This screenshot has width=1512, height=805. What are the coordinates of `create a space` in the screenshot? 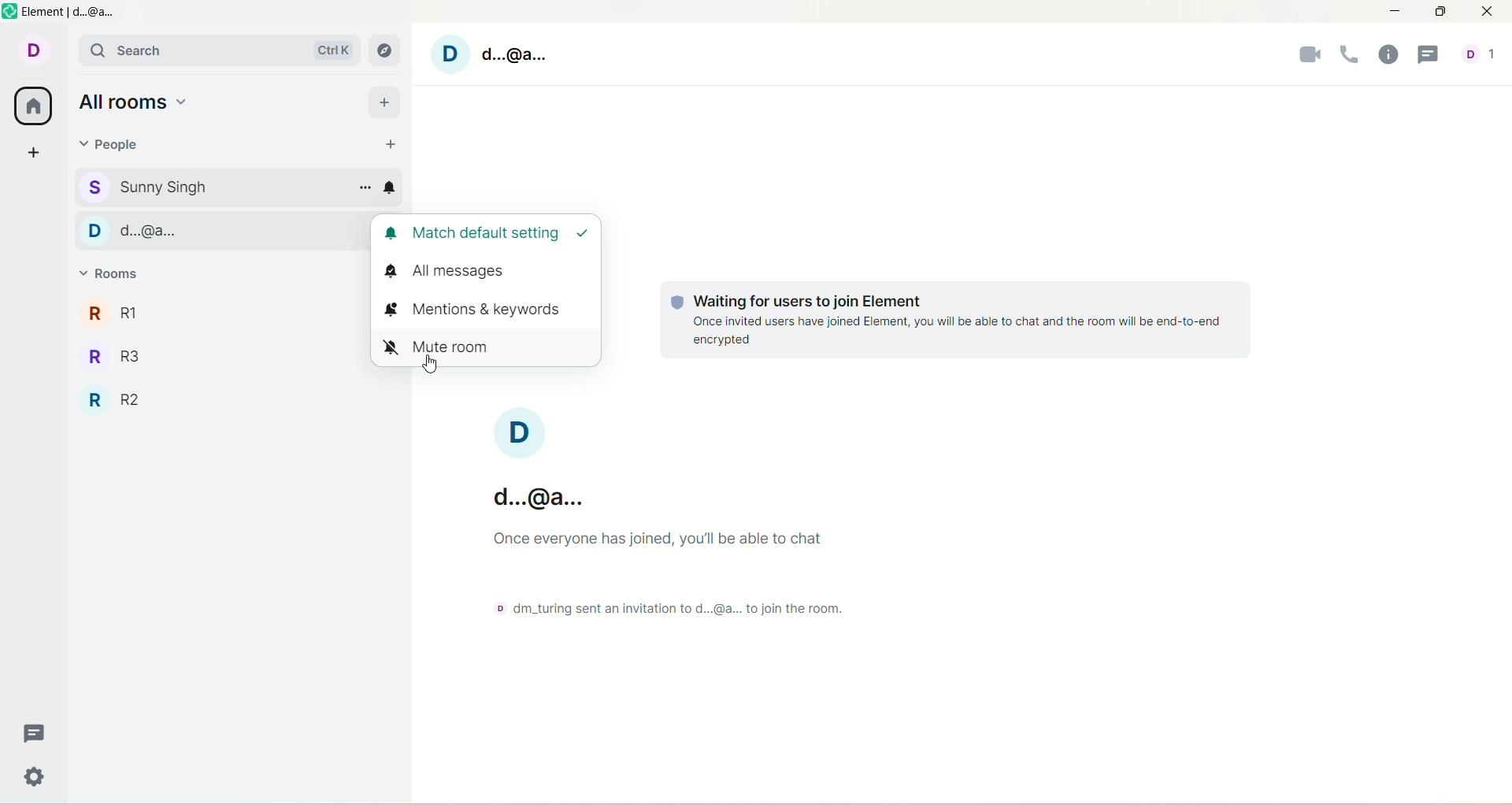 It's located at (31, 150).